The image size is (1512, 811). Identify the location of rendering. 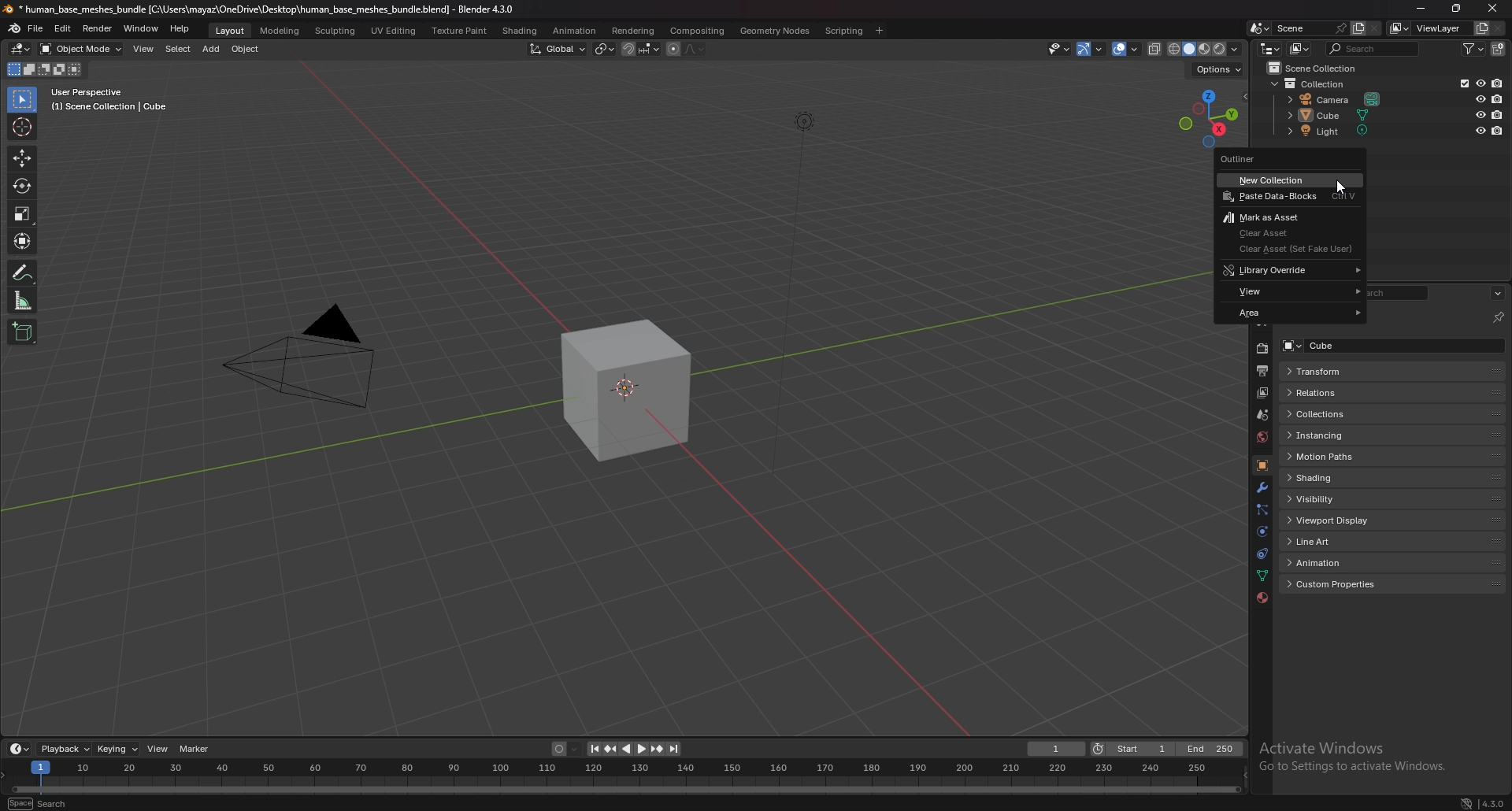
(633, 31).